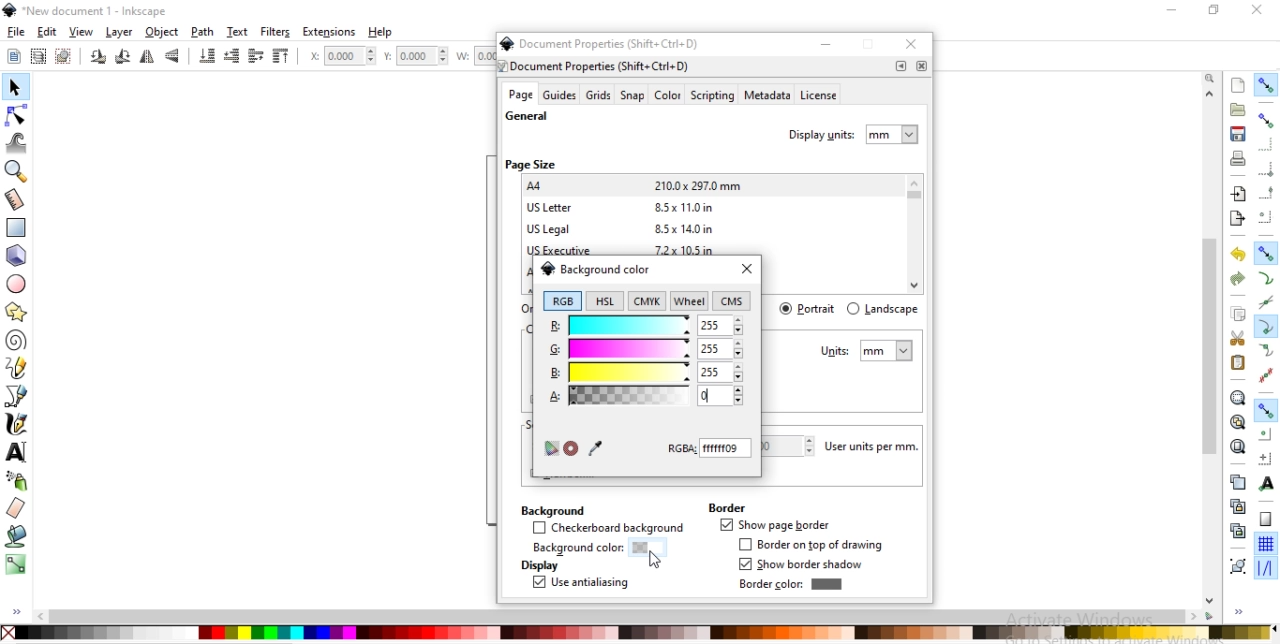 This screenshot has width=1280, height=644. I want to click on text, so click(239, 32).